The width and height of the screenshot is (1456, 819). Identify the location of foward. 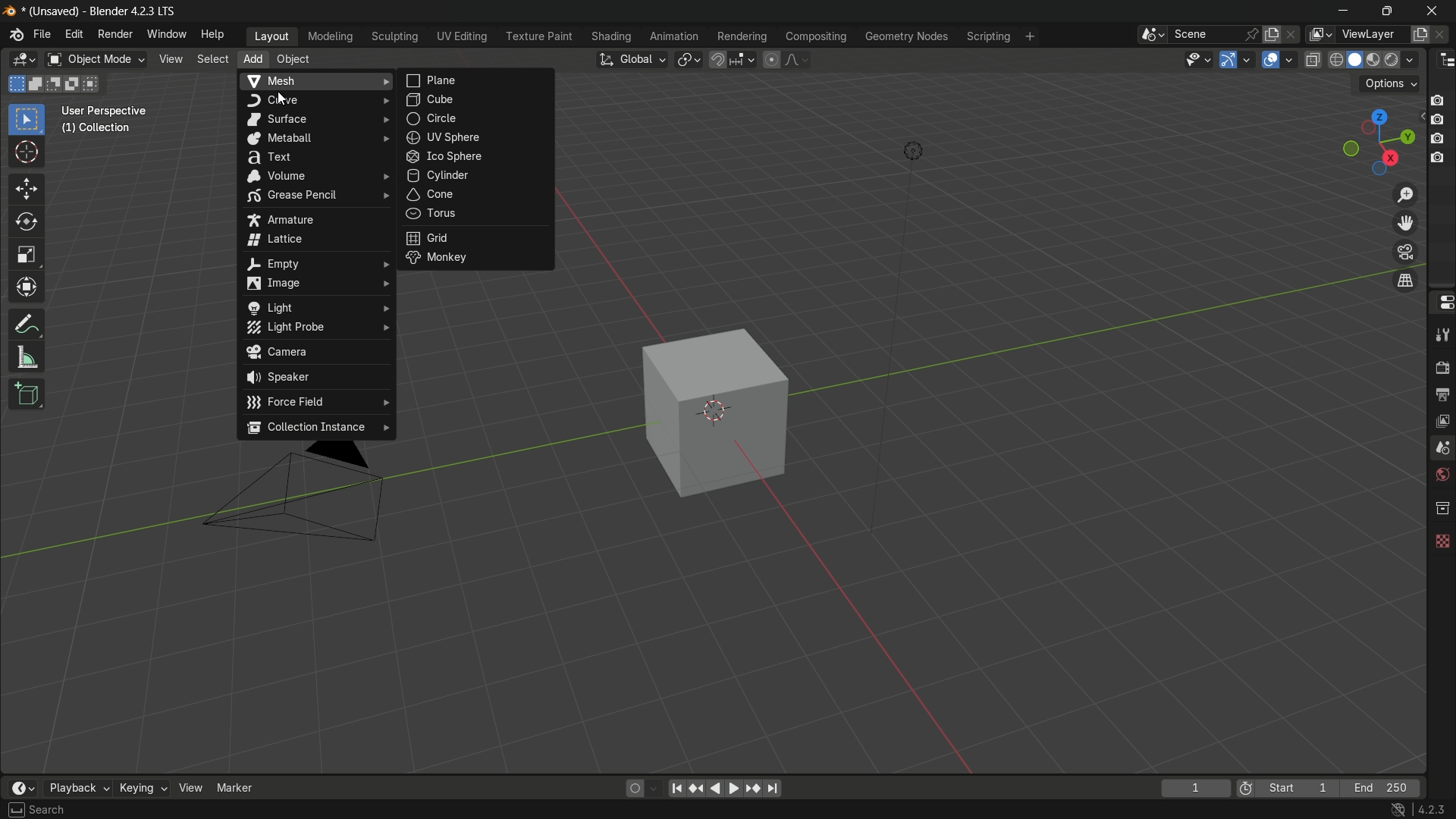
(734, 788).